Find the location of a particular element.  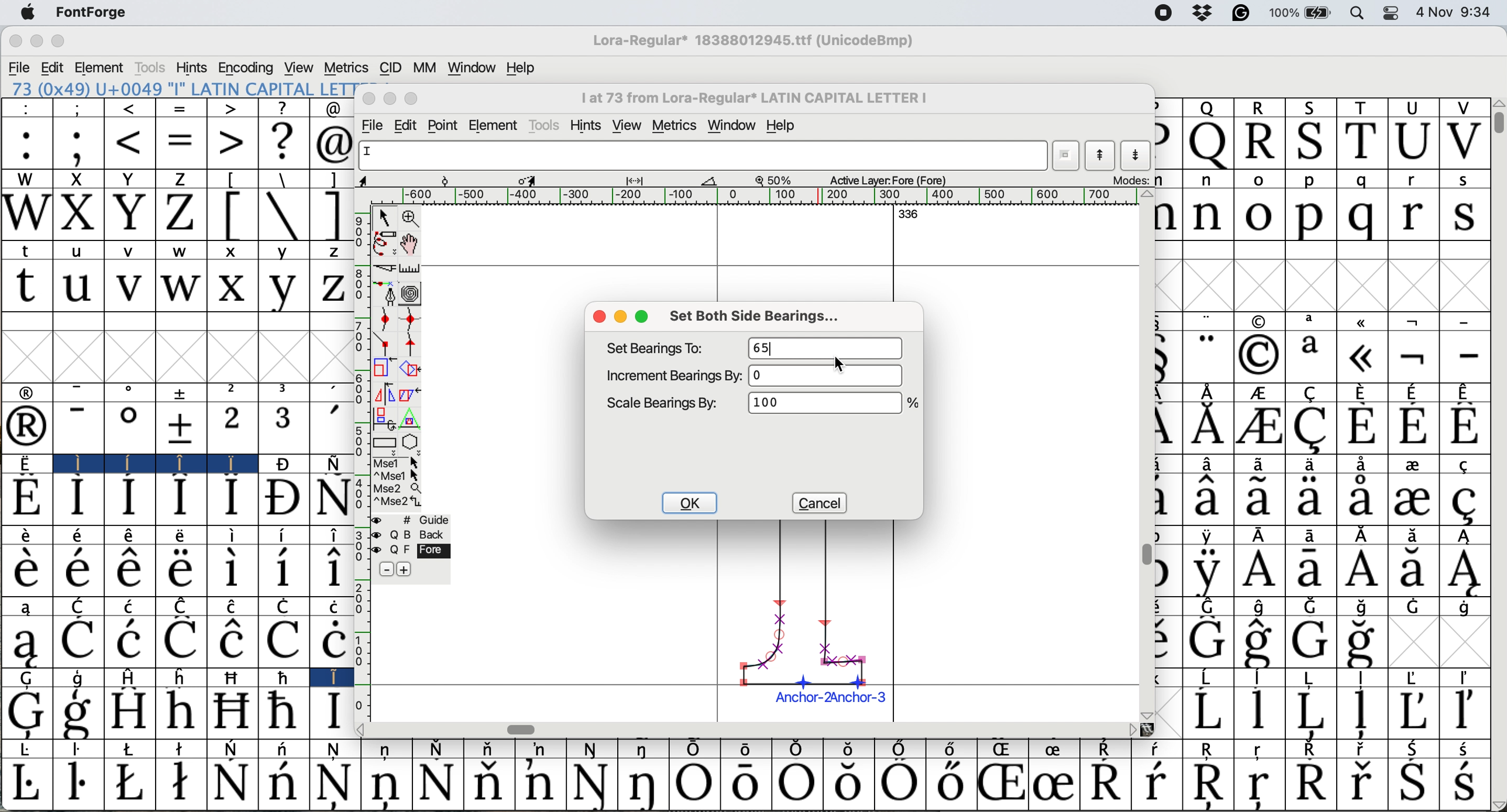

Symbol is located at coordinates (1465, 426).